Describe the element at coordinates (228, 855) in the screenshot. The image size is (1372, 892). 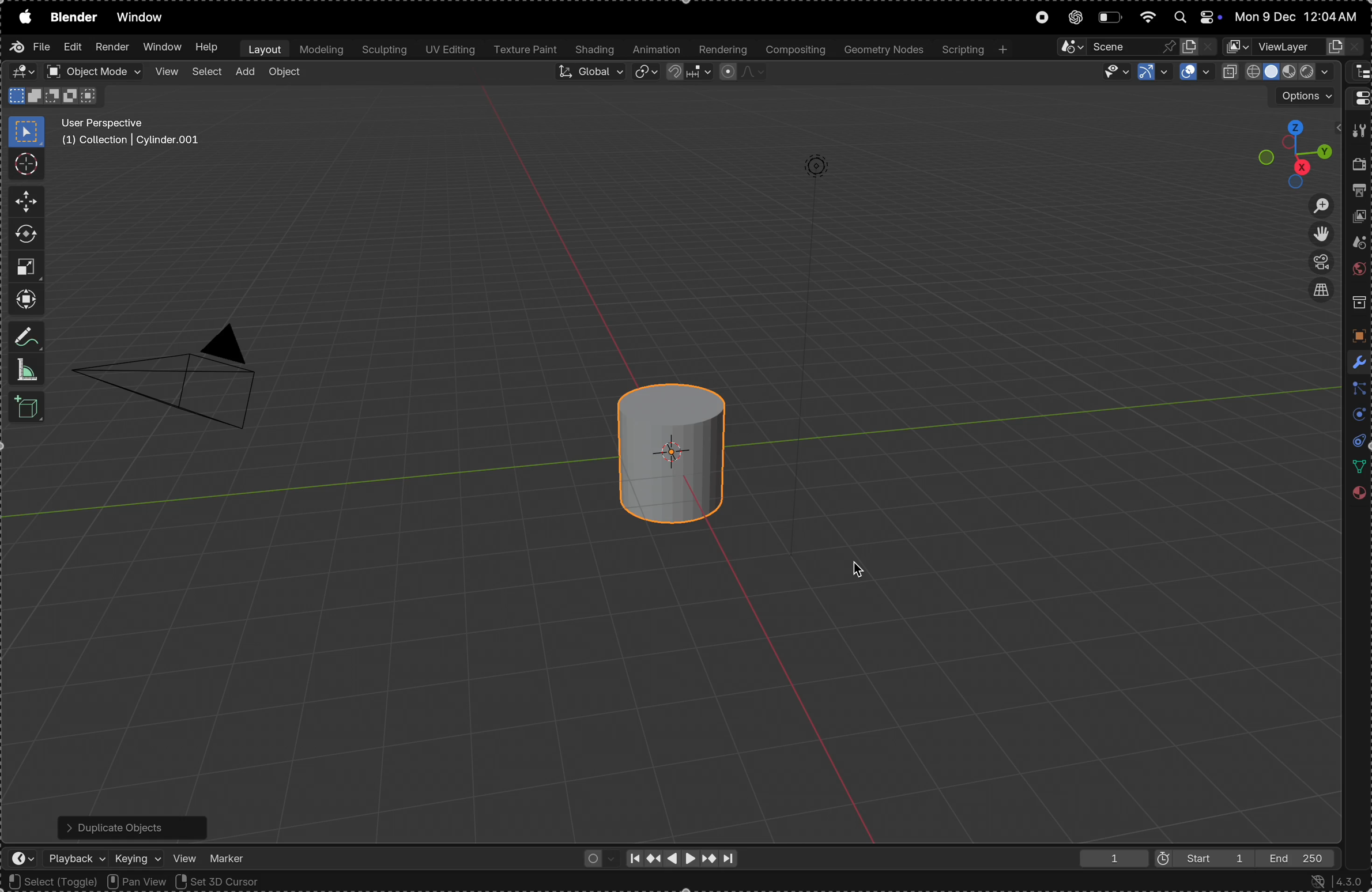
I see `marker` at that location.